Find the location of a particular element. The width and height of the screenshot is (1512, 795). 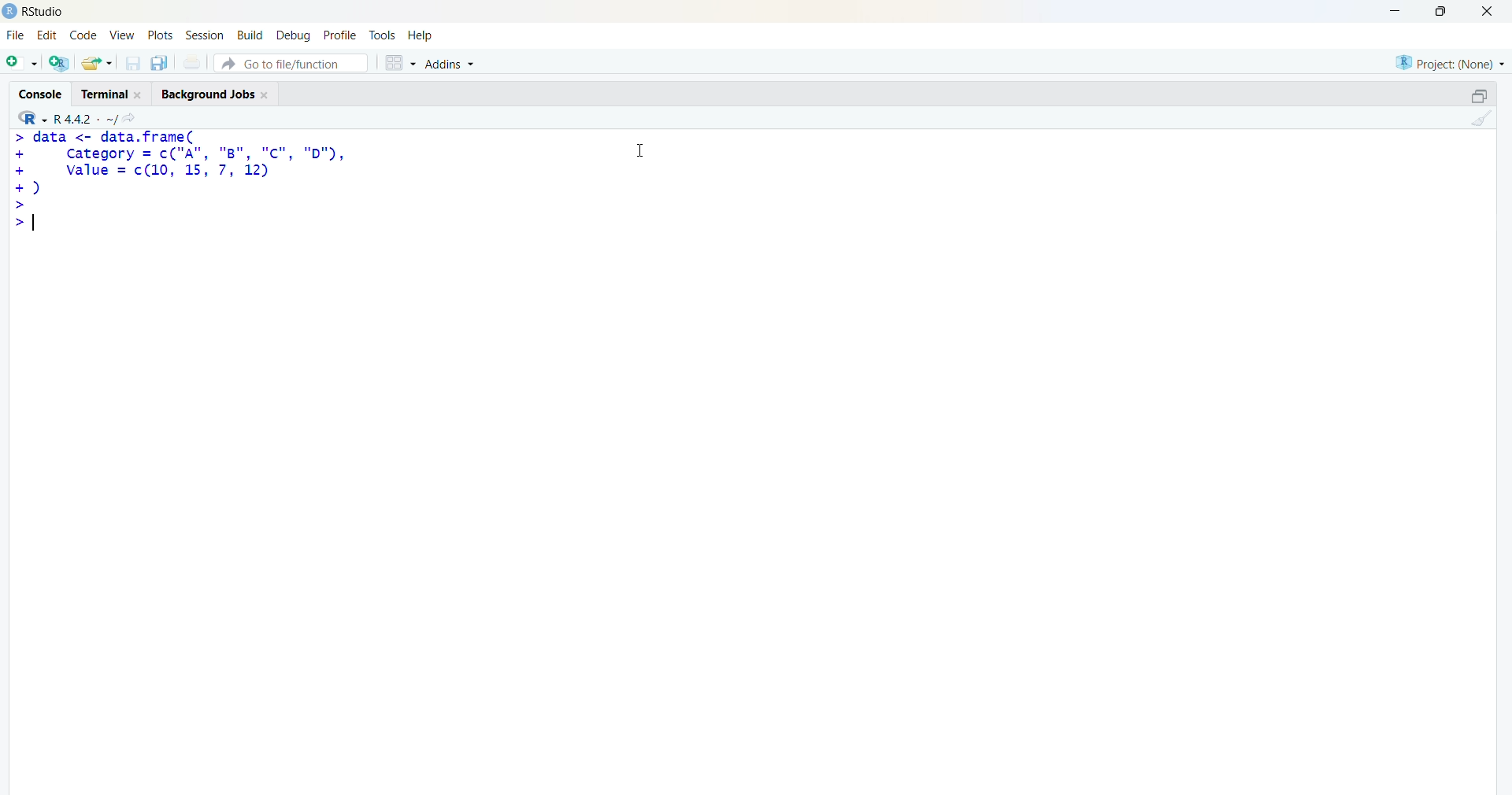

save all open documents is located at coordinates (158, 63).